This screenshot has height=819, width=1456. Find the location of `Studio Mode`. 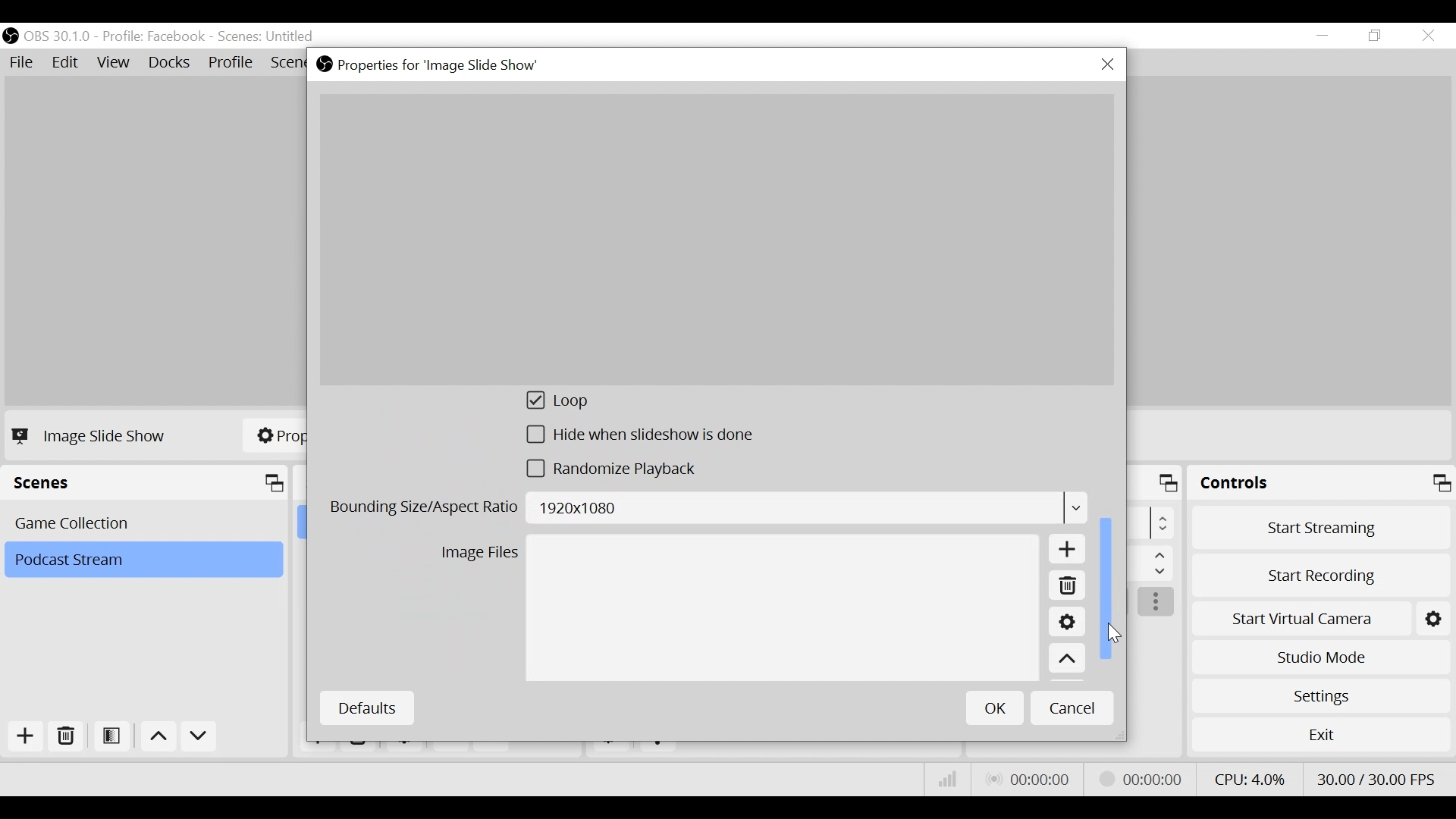

Studio Mode is located at coordinates (1321, 655).